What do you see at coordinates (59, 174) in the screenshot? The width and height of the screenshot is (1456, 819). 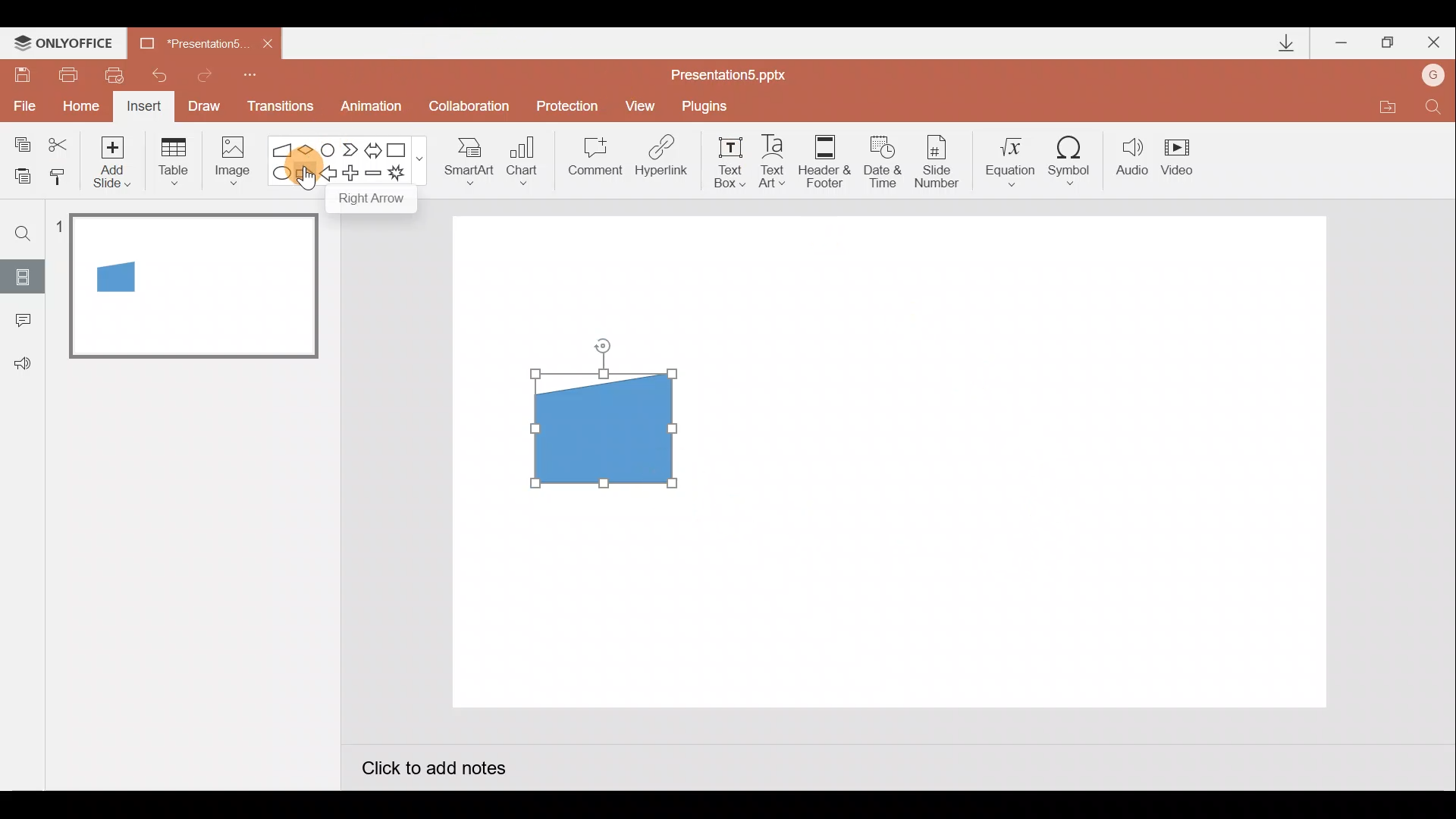 I see `Copy style` at bounding box center [59, 174].